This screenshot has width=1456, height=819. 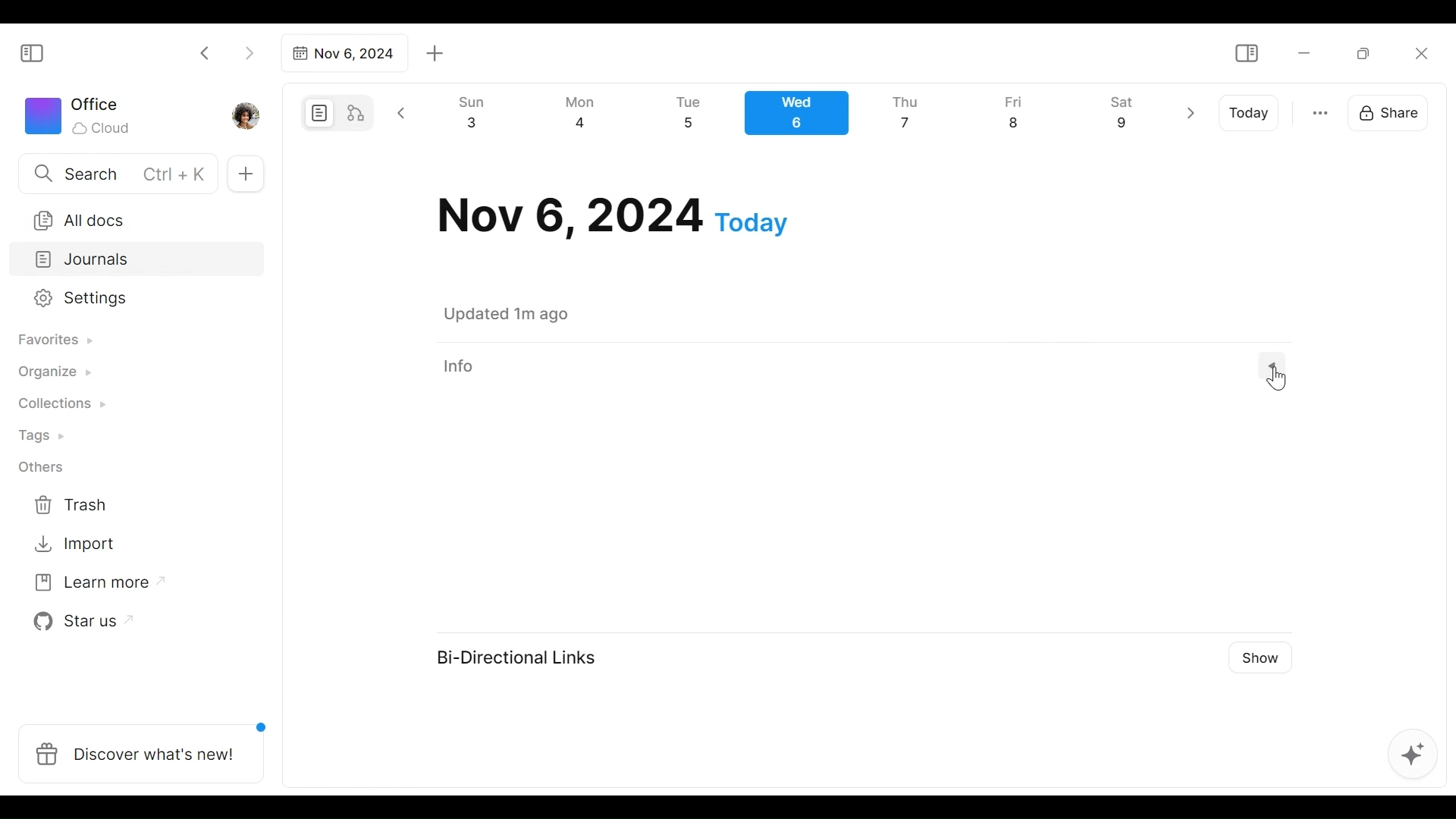 I want to click on Journals, so click(x=138, y=261).